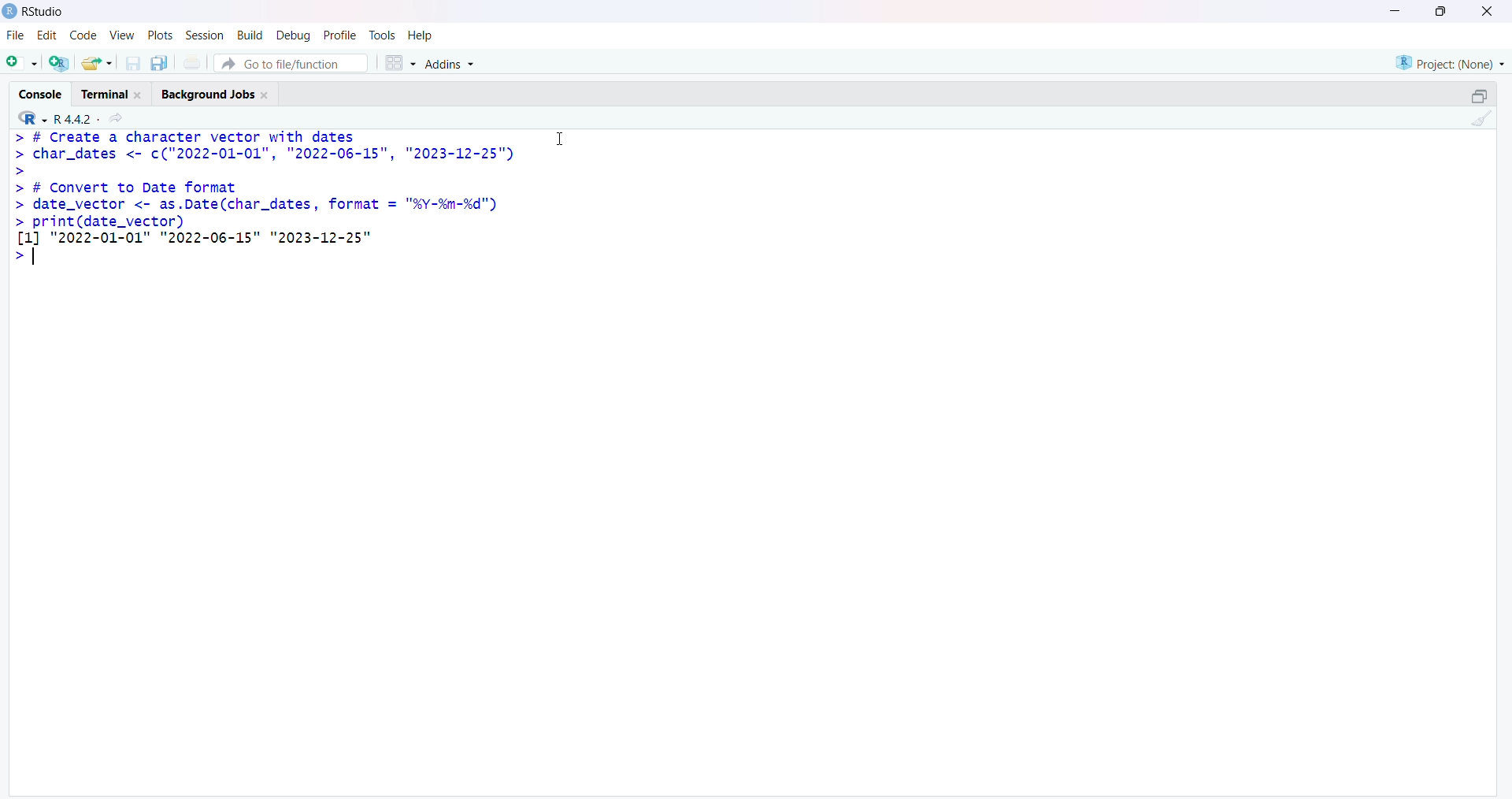 Image resolution: width=1512 pixels, height=799 pixels. What do you see at coordinates (120, 117) in the screenshot?
I see `View the current working directory` at bounding box center [120, 117].